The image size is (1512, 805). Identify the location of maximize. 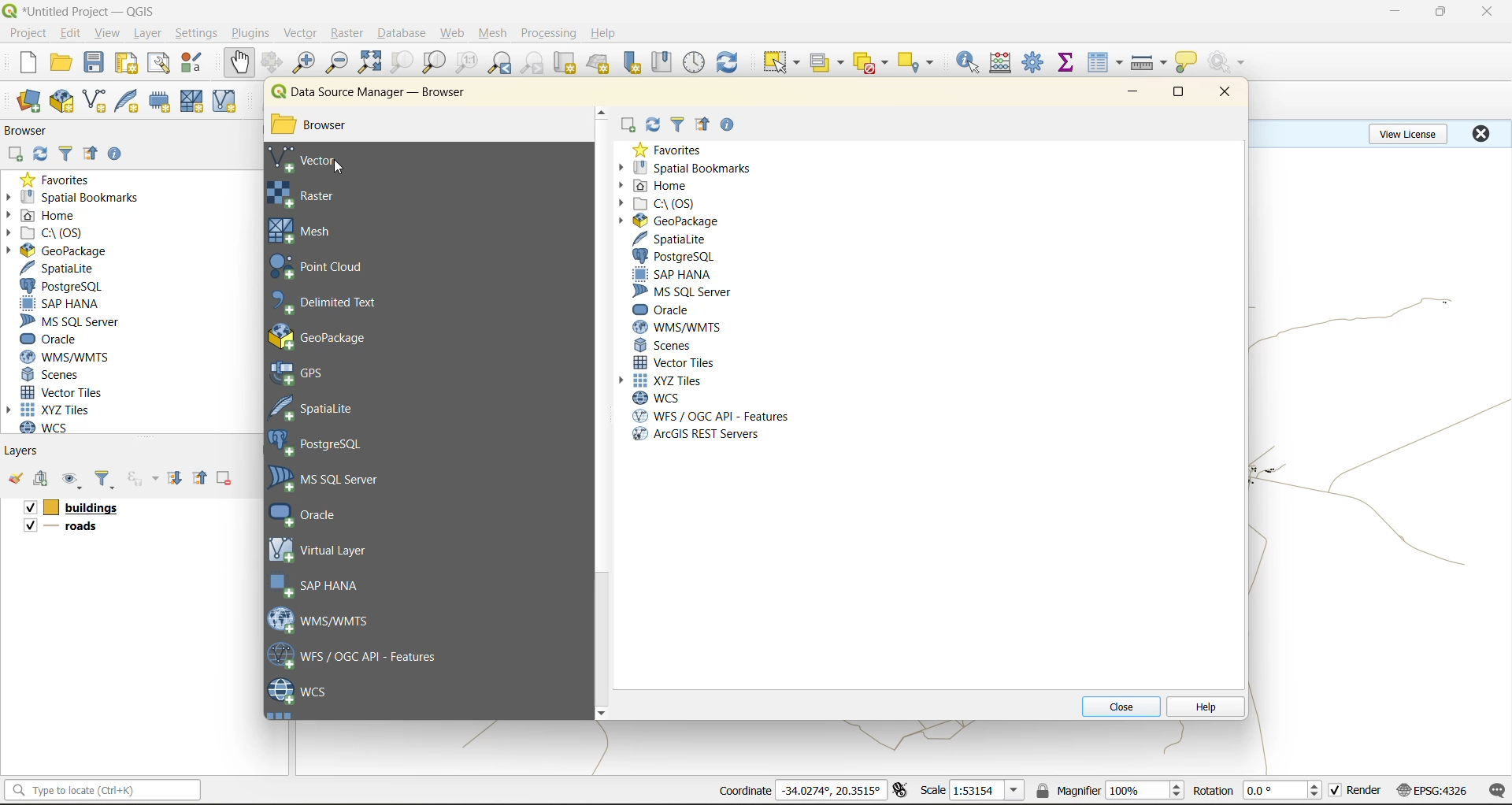
(1442, 12).